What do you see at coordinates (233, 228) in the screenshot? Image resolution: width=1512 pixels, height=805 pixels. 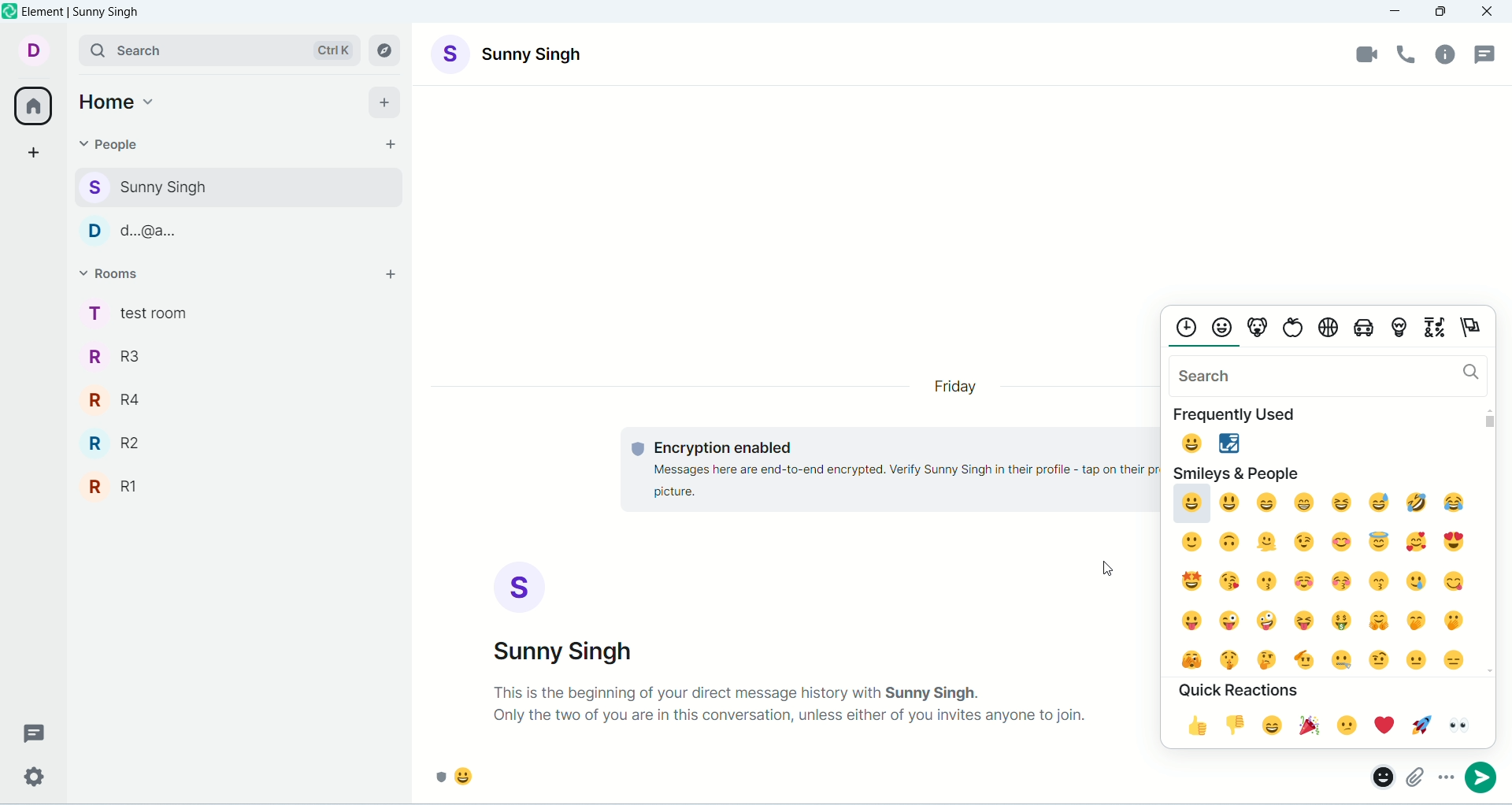 I see `d...@...` at bounding box center [233, 228].